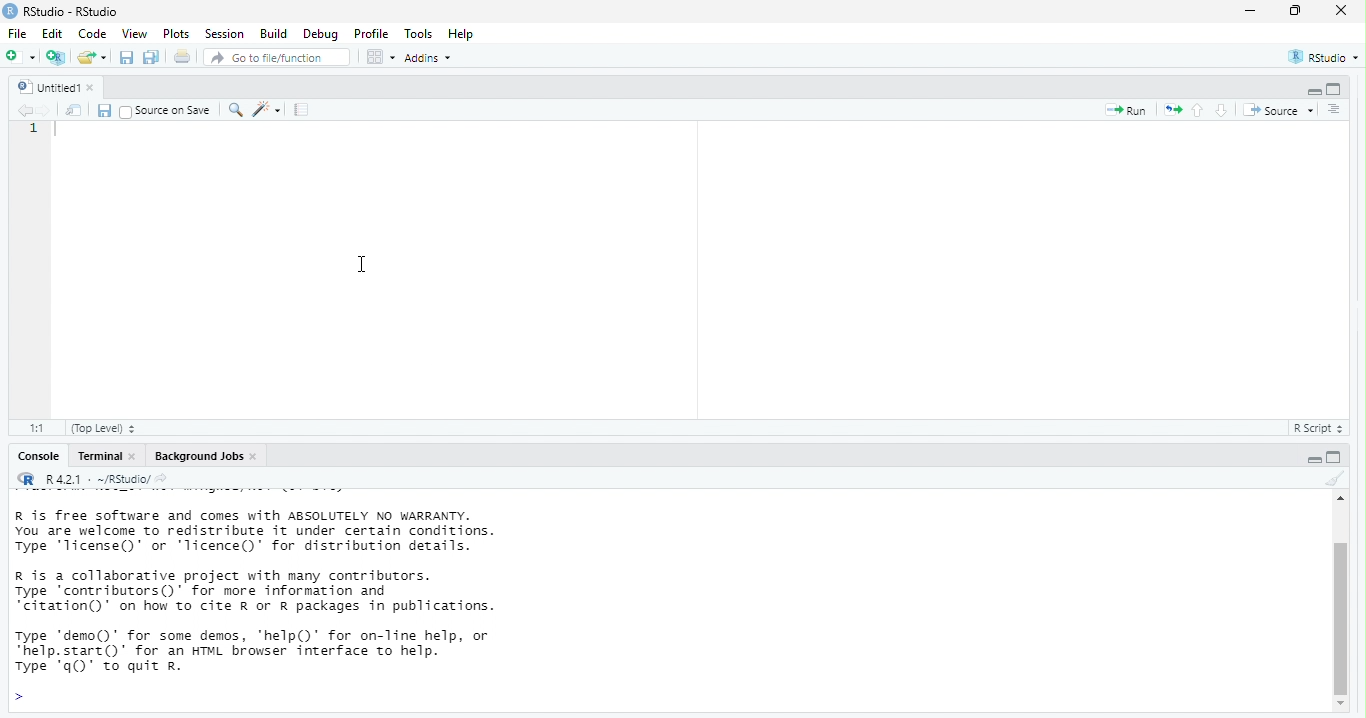 This screenshot has height=718, width=1366. What do you see at coordinates (1341, 11) in the screenshot?
I see `close` at bounding box center [1341, 11].